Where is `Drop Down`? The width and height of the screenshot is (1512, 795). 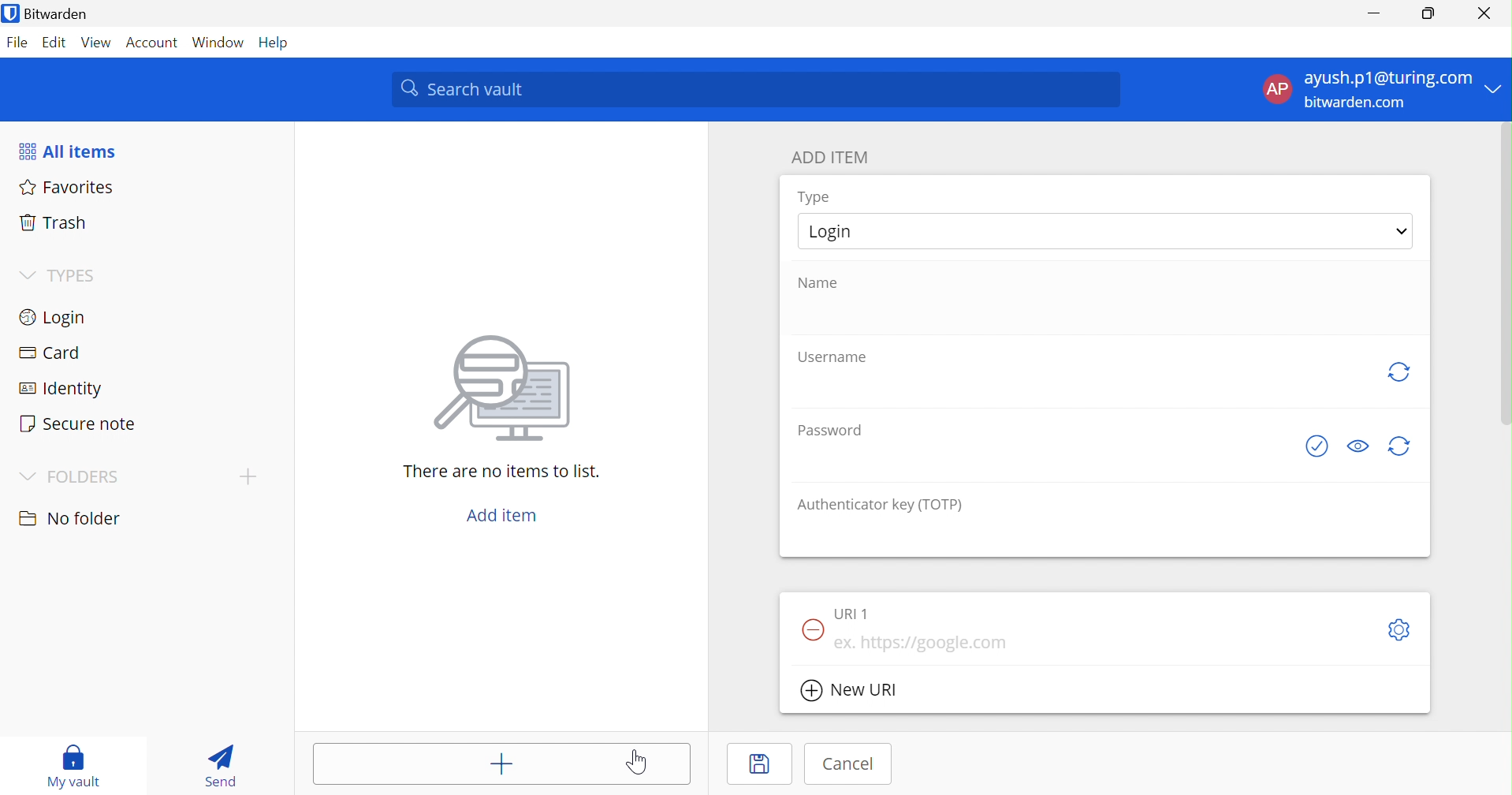 Drop Down is located at coordinates (1402, 230).